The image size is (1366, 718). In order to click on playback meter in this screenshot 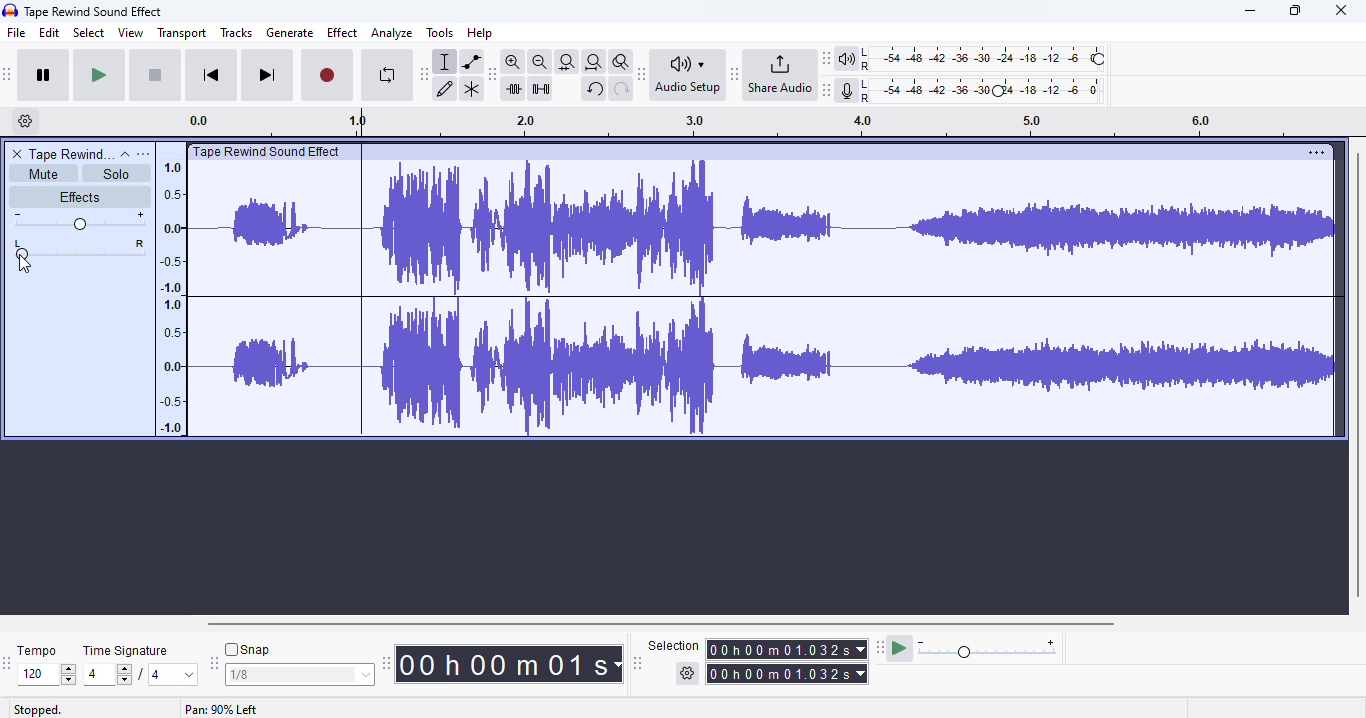, I will do `click(973, 59)`.